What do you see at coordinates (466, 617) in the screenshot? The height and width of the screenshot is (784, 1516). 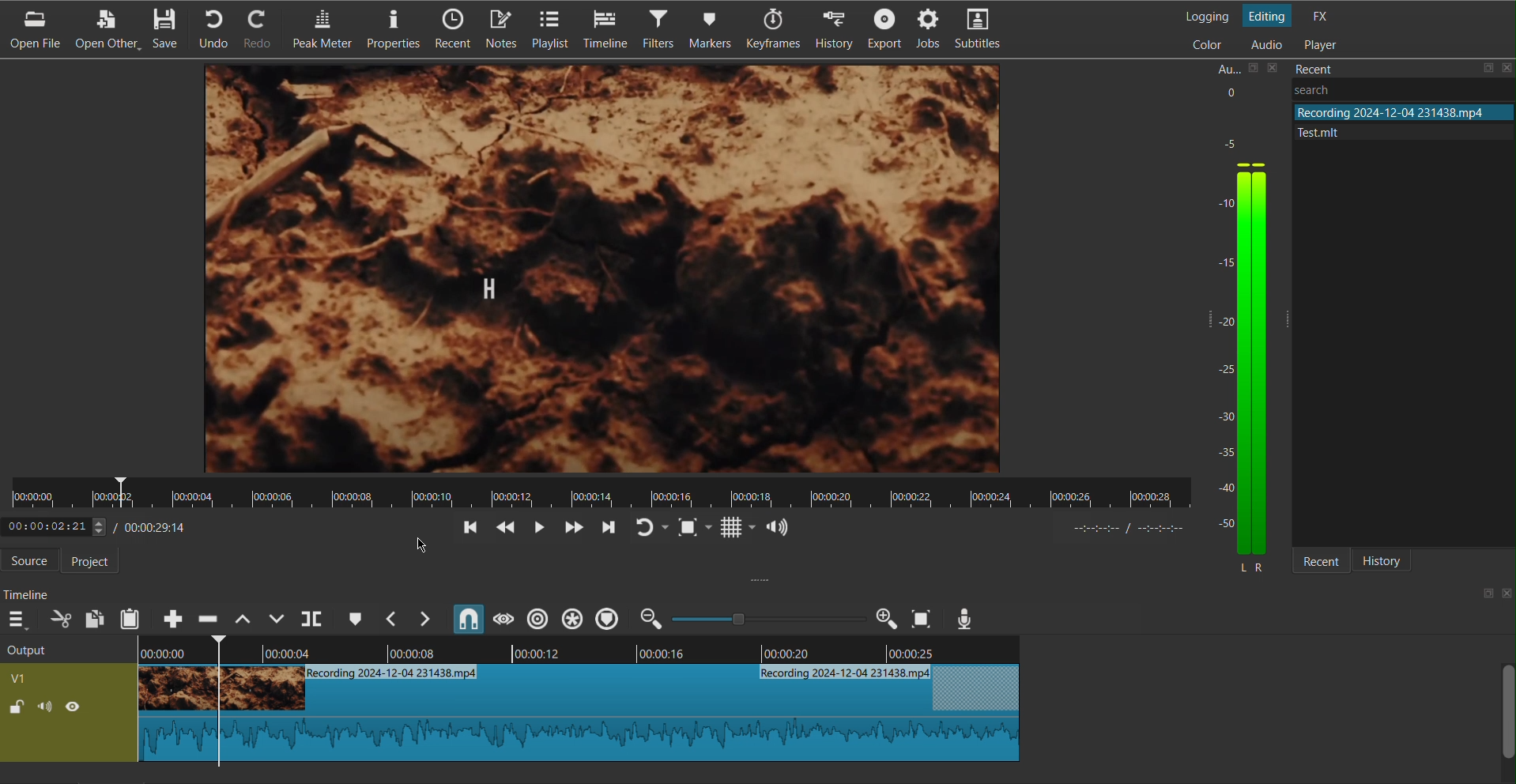 I see `Snap` at bounding box center [466, 617].